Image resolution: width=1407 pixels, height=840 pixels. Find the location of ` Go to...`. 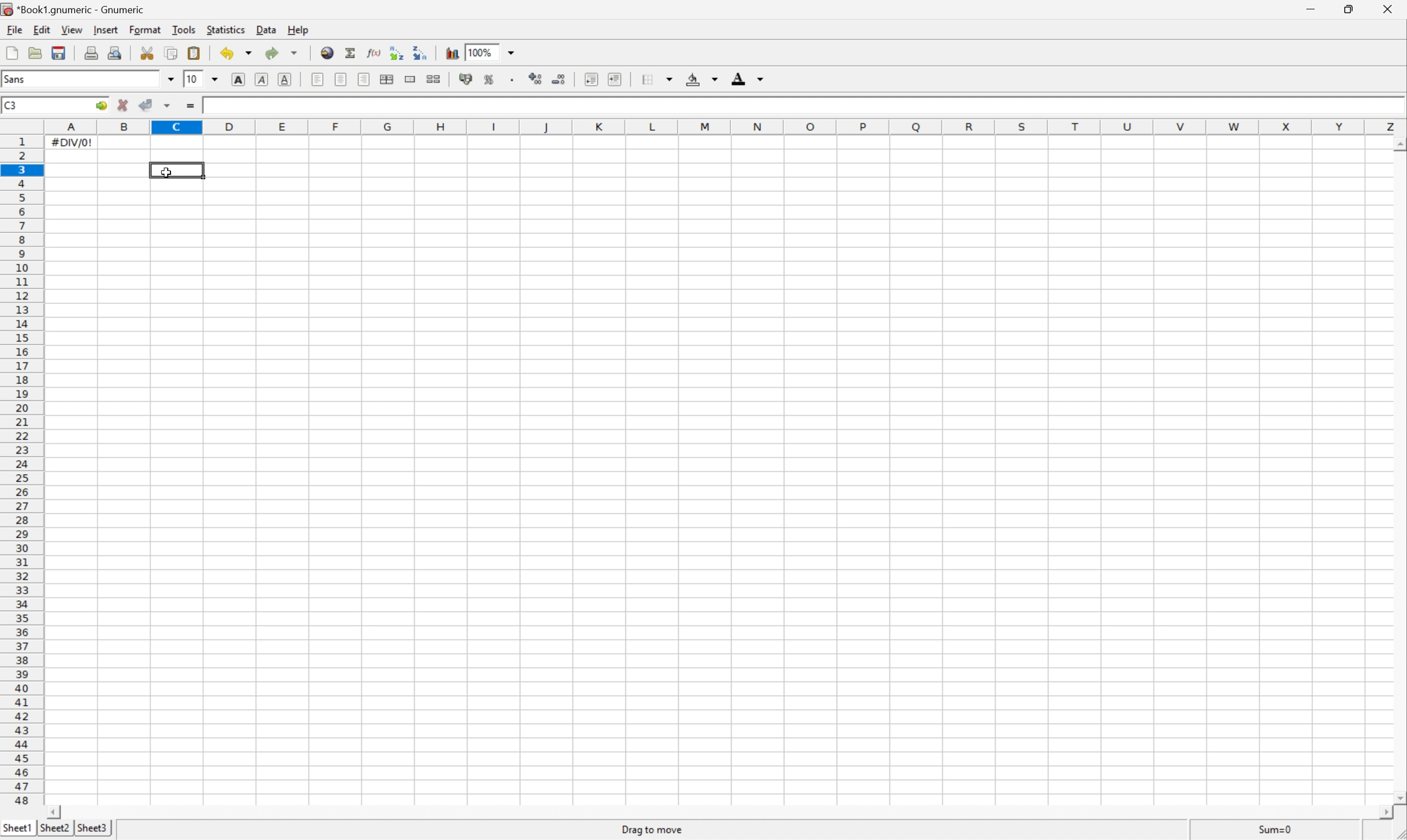

 Go to... is located at coordinates (101, 105).